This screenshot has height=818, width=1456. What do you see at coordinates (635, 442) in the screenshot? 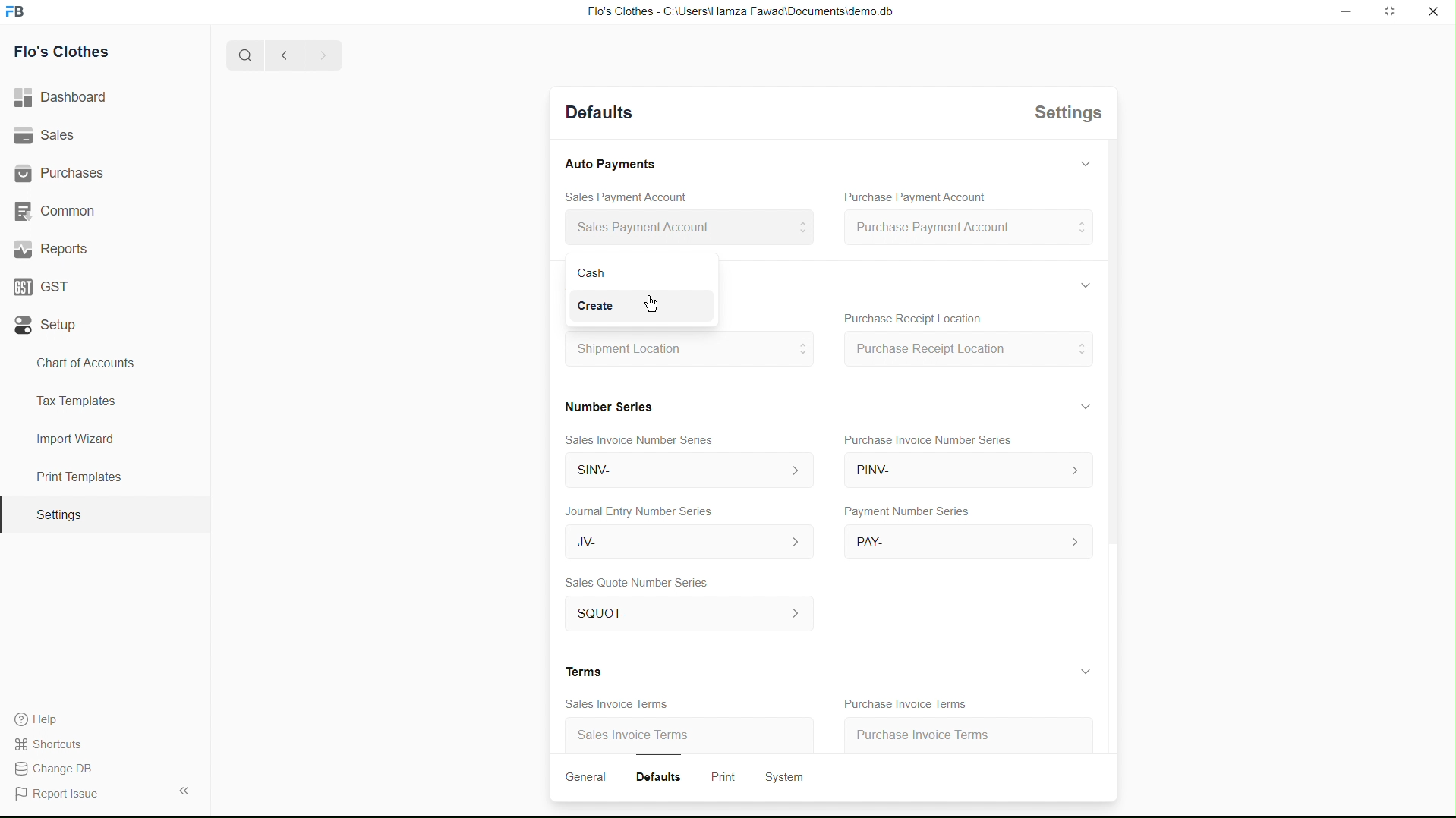
I see `Sales Invoice Number Series` at bounding box center [635, 442].